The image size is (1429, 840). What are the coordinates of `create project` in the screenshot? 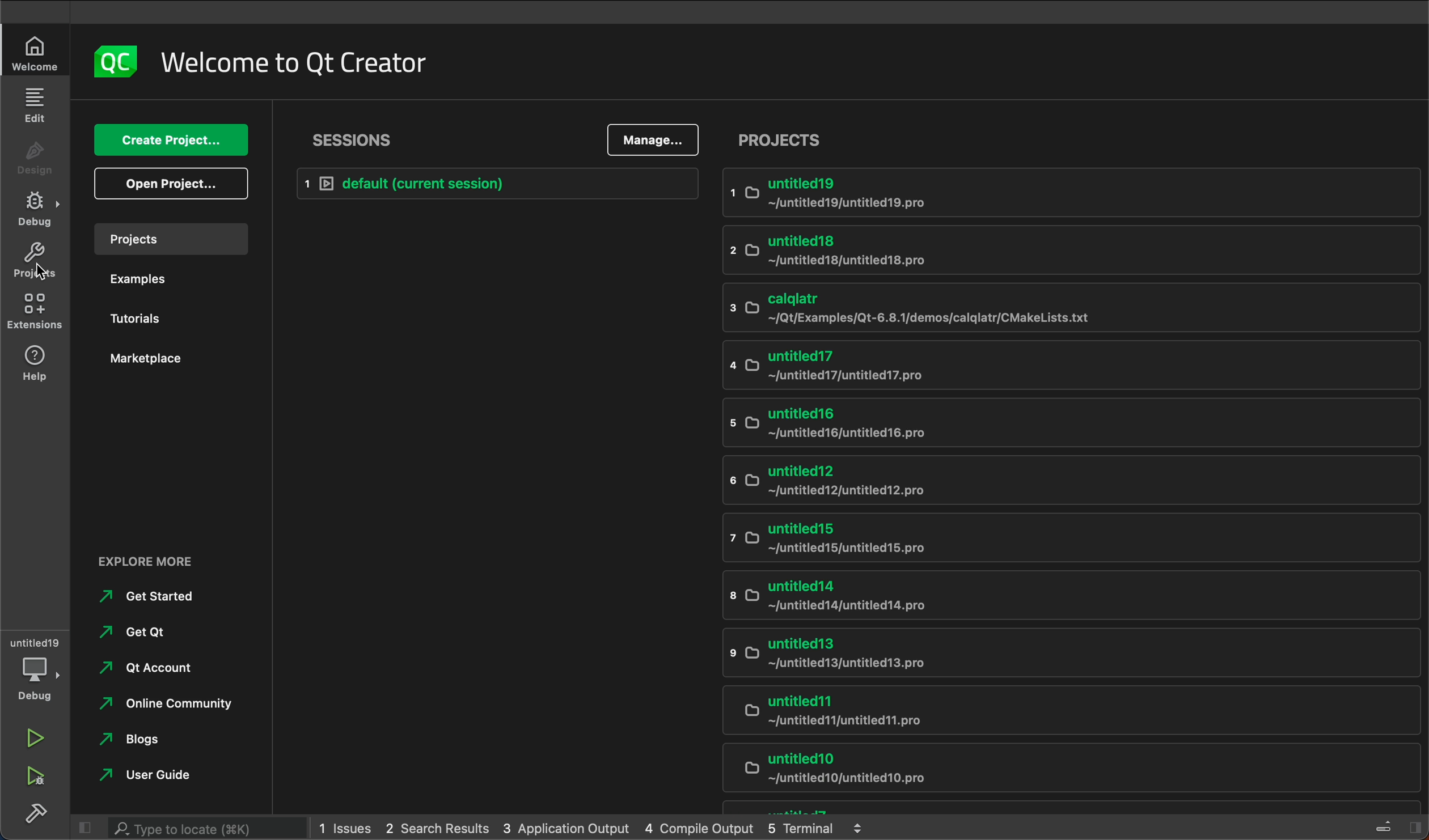 It's located at (168, 142).